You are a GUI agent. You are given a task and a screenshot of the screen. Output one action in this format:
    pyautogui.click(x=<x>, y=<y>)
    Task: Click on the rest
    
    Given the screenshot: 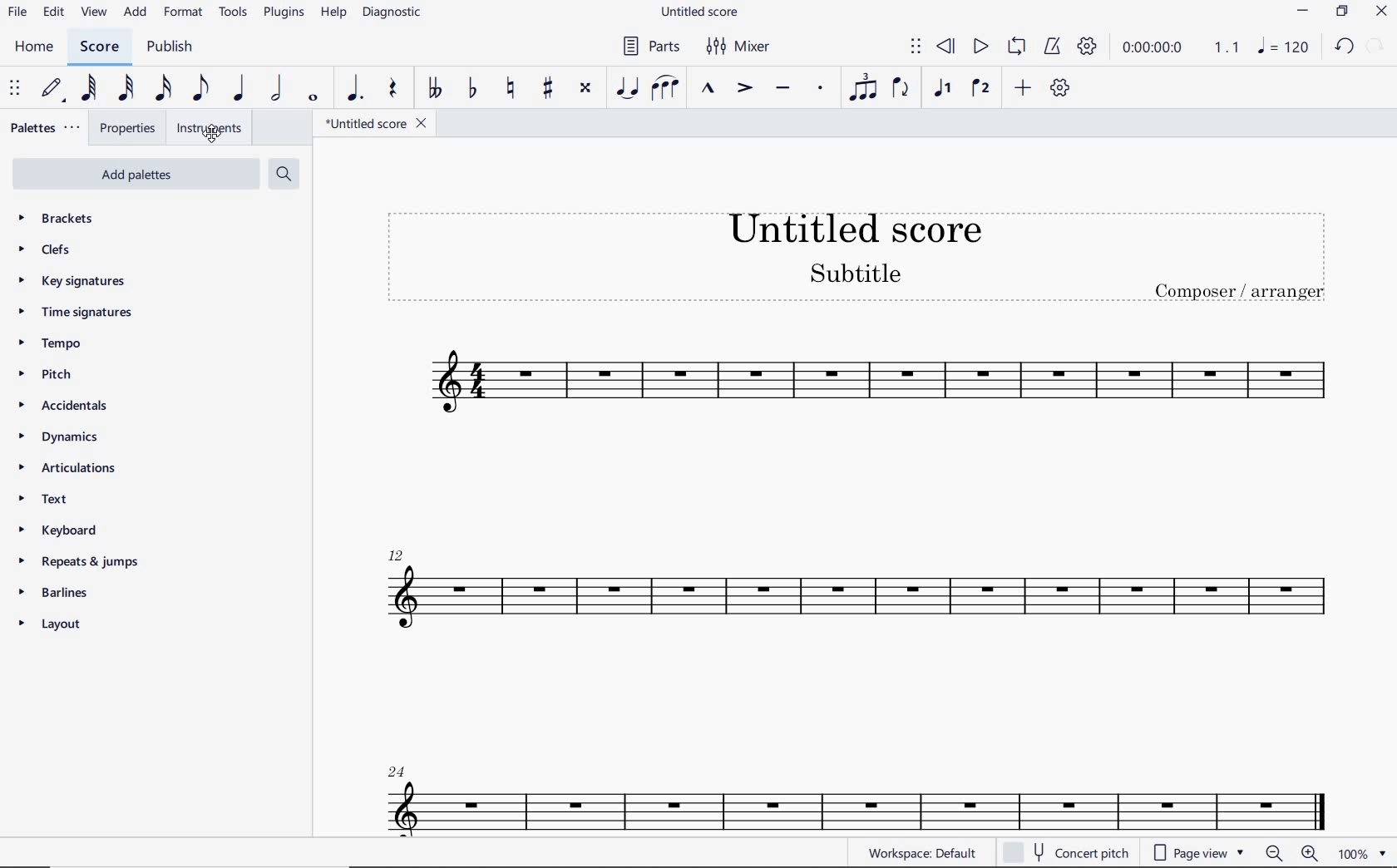 What is the action you would take?
    pyautogui.click(x=391, y=91)
    